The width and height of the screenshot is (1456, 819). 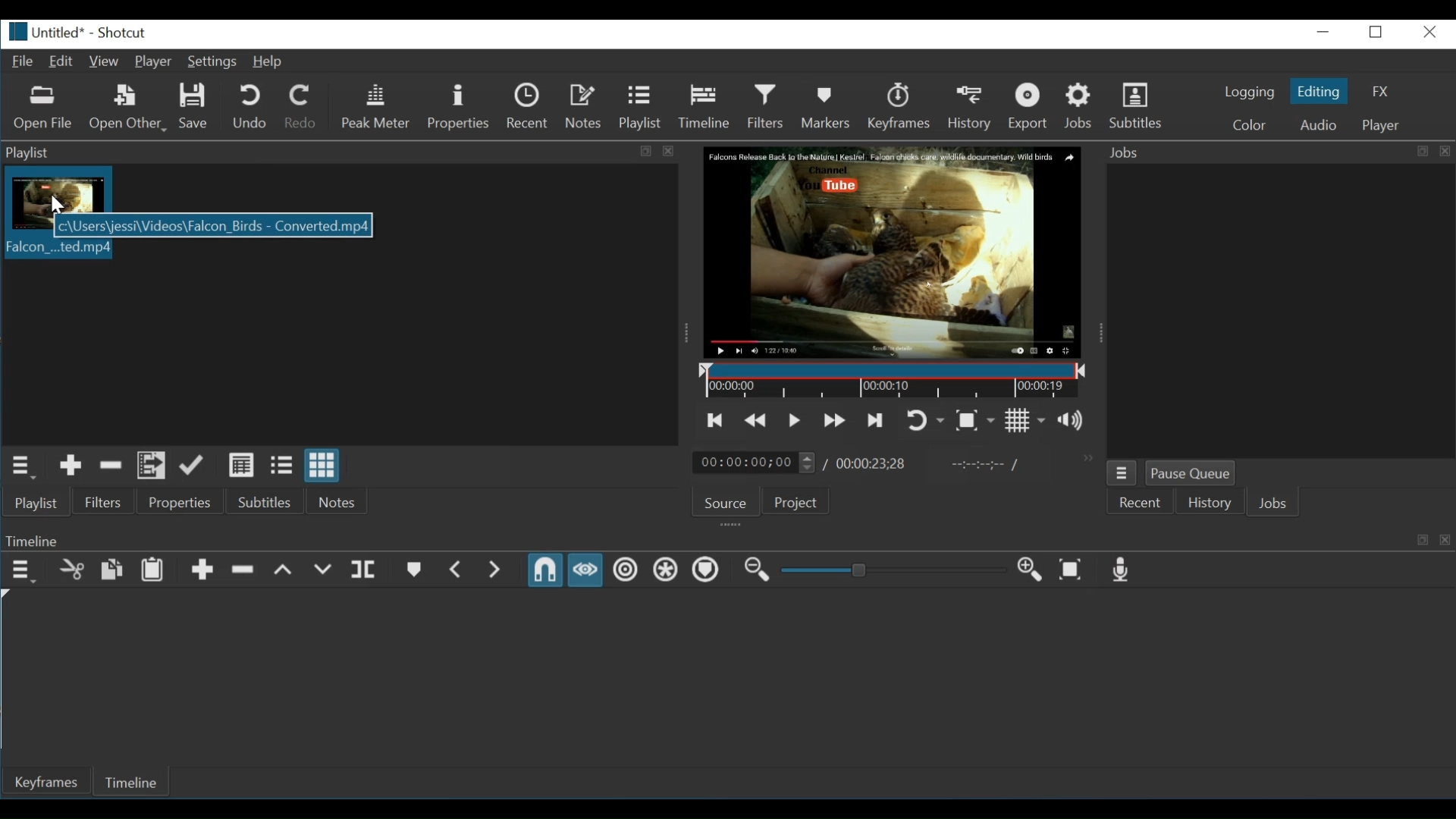 I want to click on Save, so click(x=195, y=107).